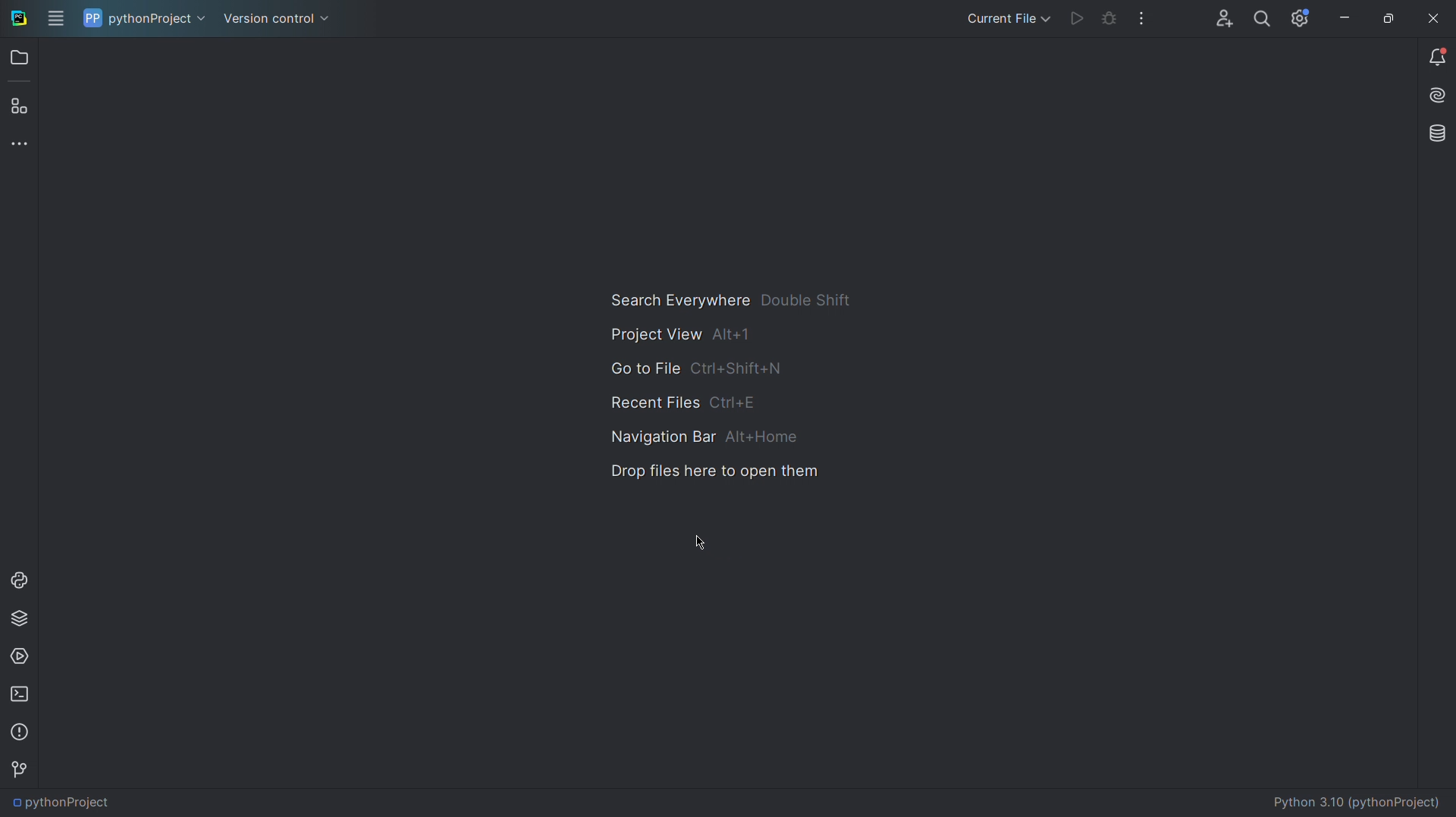 The image size is (1456, 817). What do you see at coordinates (1143, 19) in the screenshot?
I see `more` at bounding box center [1143, 19].